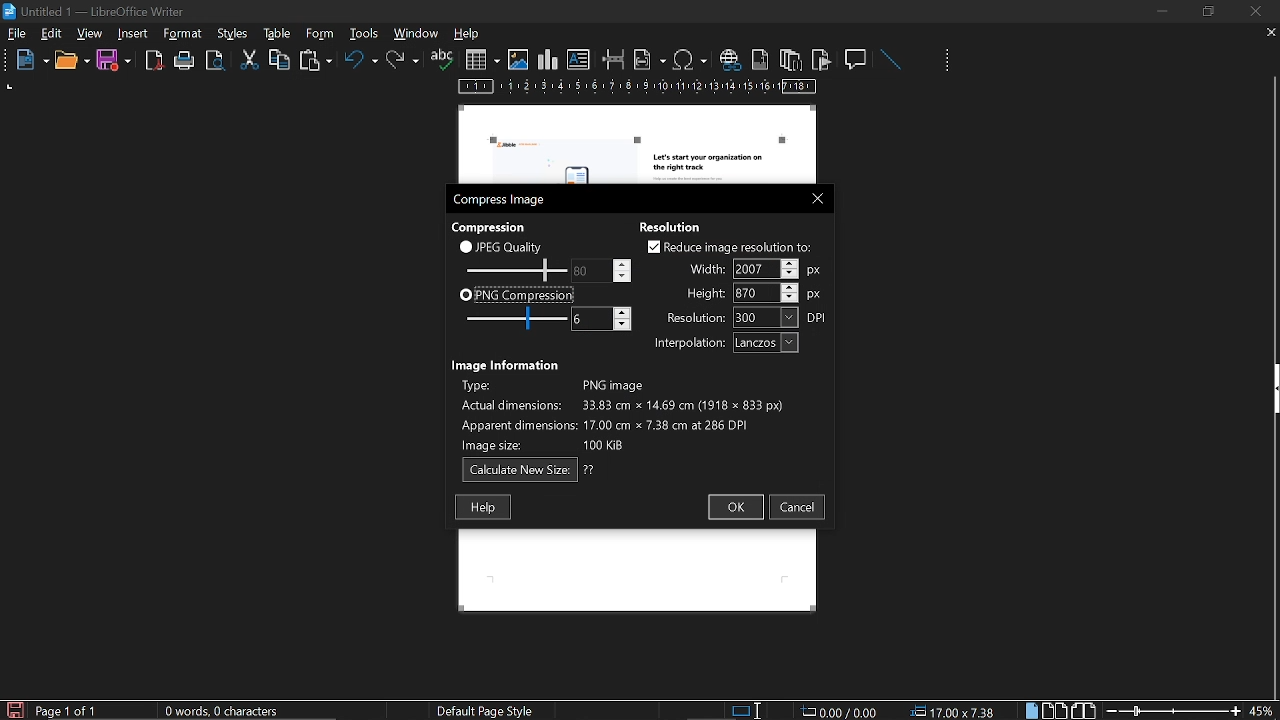 The image size is (1280, 720). I want to click on insert chart, so click(548, 60).